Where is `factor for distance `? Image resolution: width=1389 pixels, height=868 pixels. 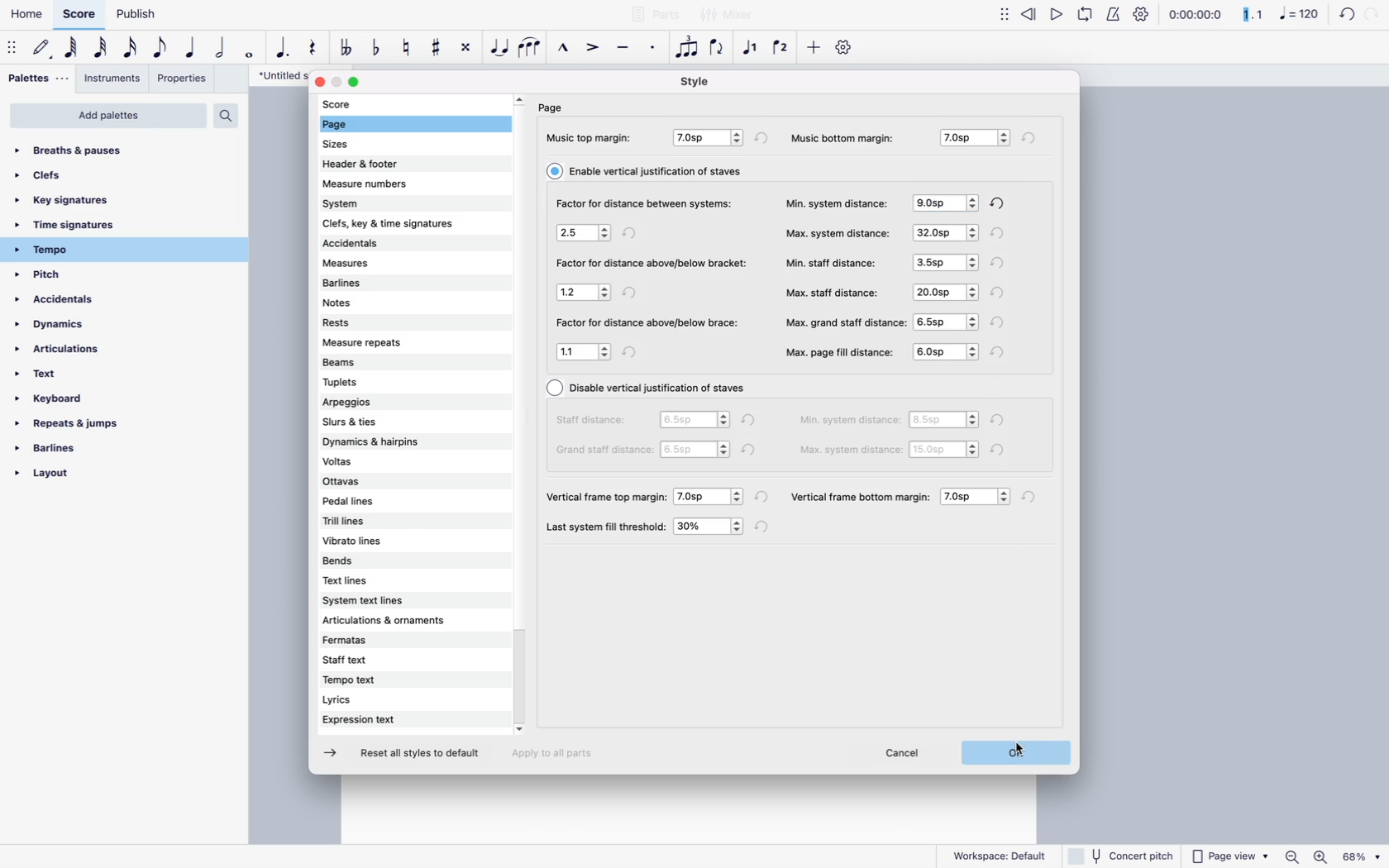
factor for distance  is located at coordinates (647, 323).